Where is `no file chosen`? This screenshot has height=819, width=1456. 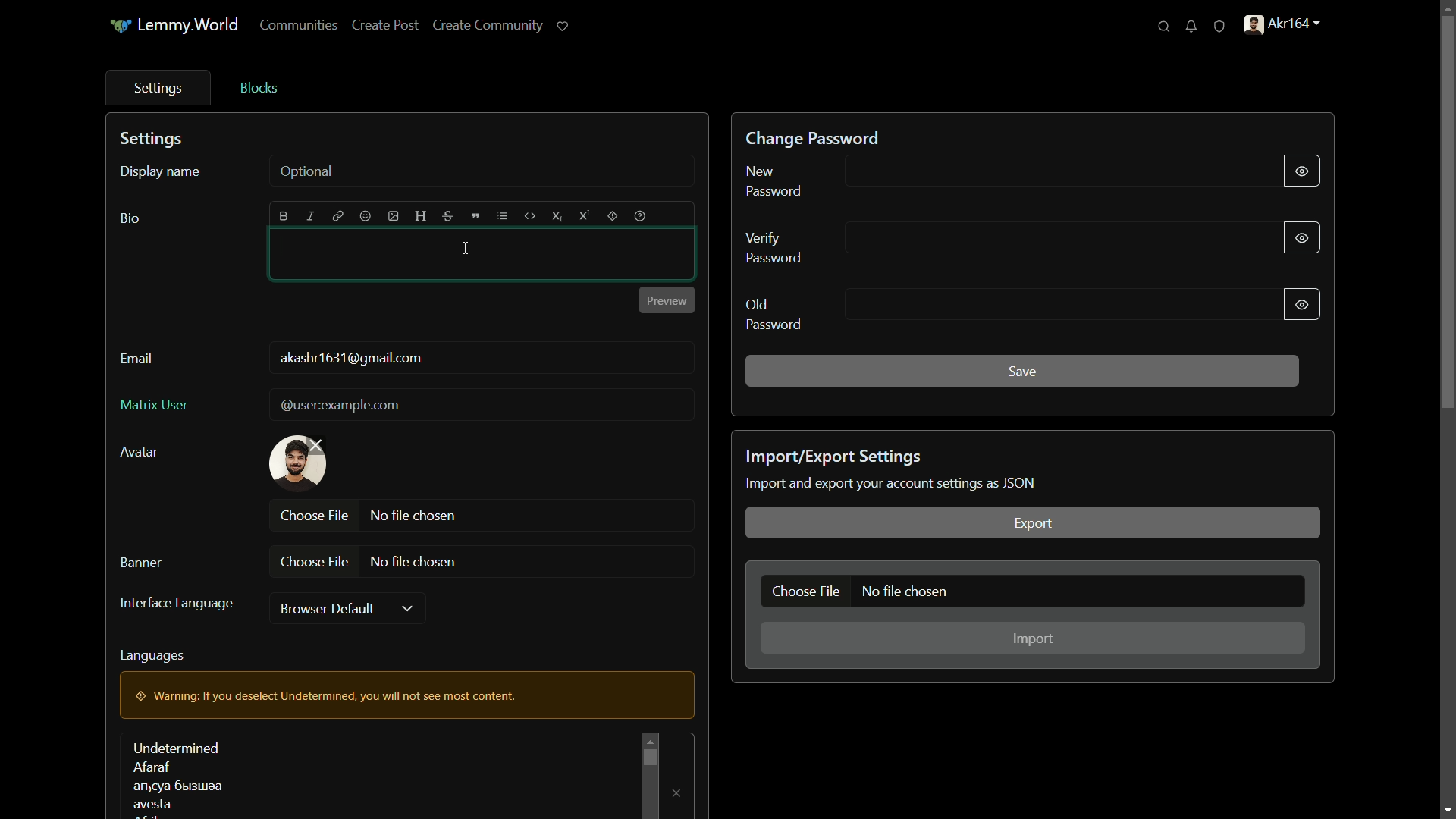 no file chosen is located at coordinates (413, 563).